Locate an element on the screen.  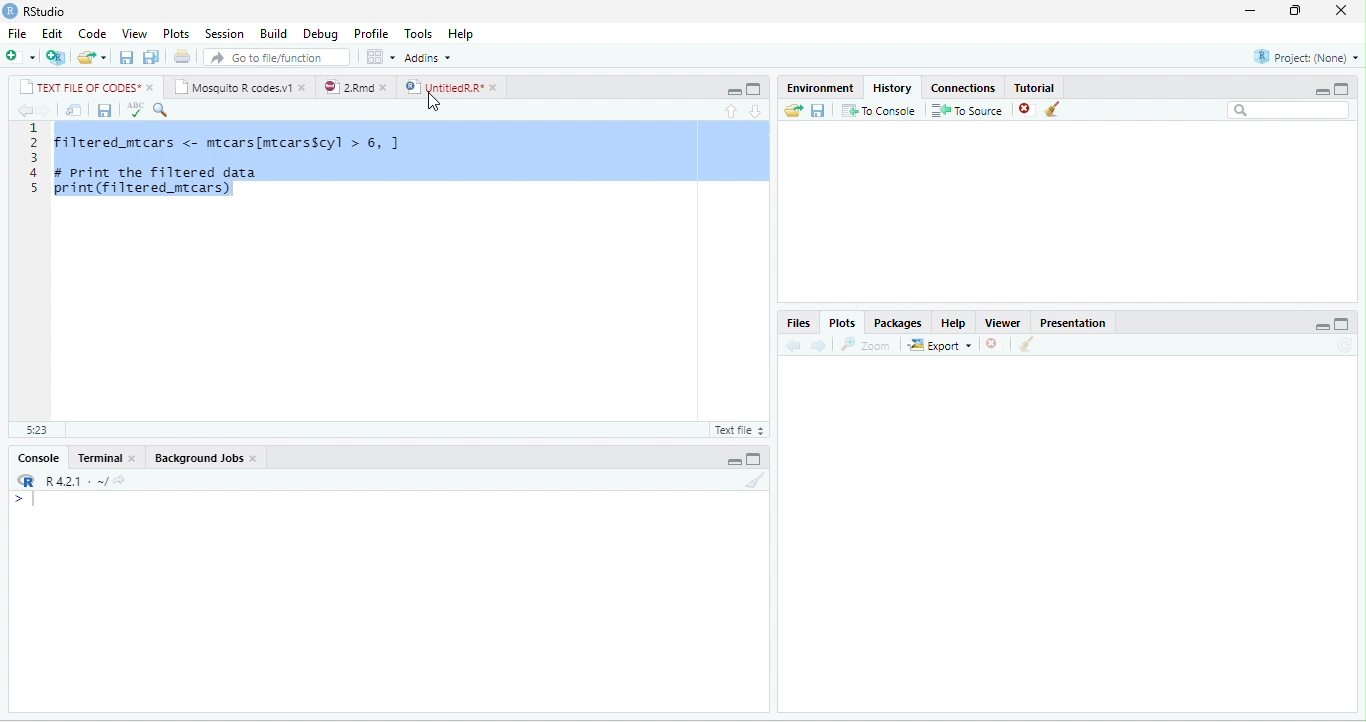
To console is located at coordinates (879, 110).